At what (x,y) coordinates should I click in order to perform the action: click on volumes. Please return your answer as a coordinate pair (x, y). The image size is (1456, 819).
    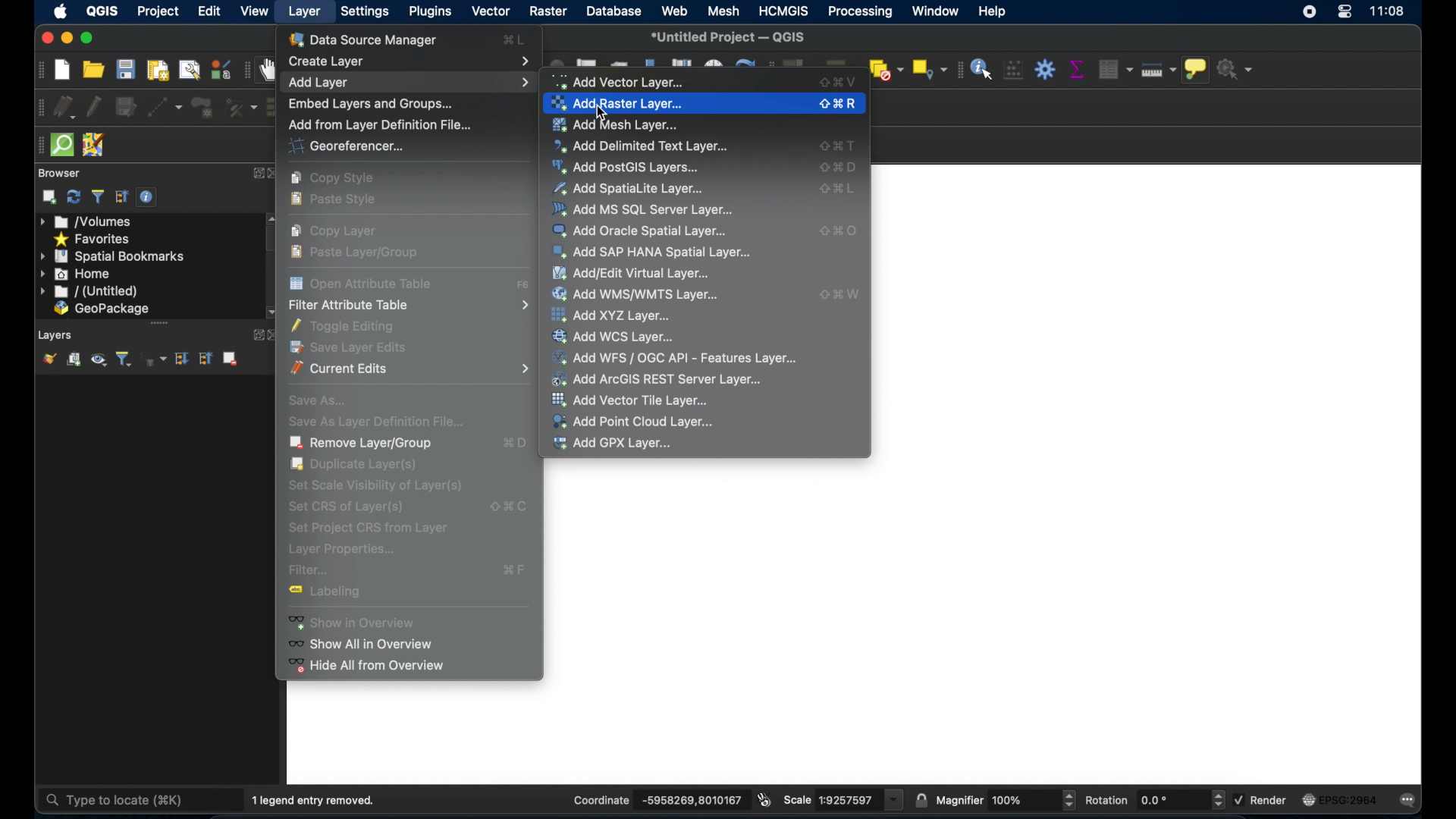
    Looking at the image, I should click on (87, 222).